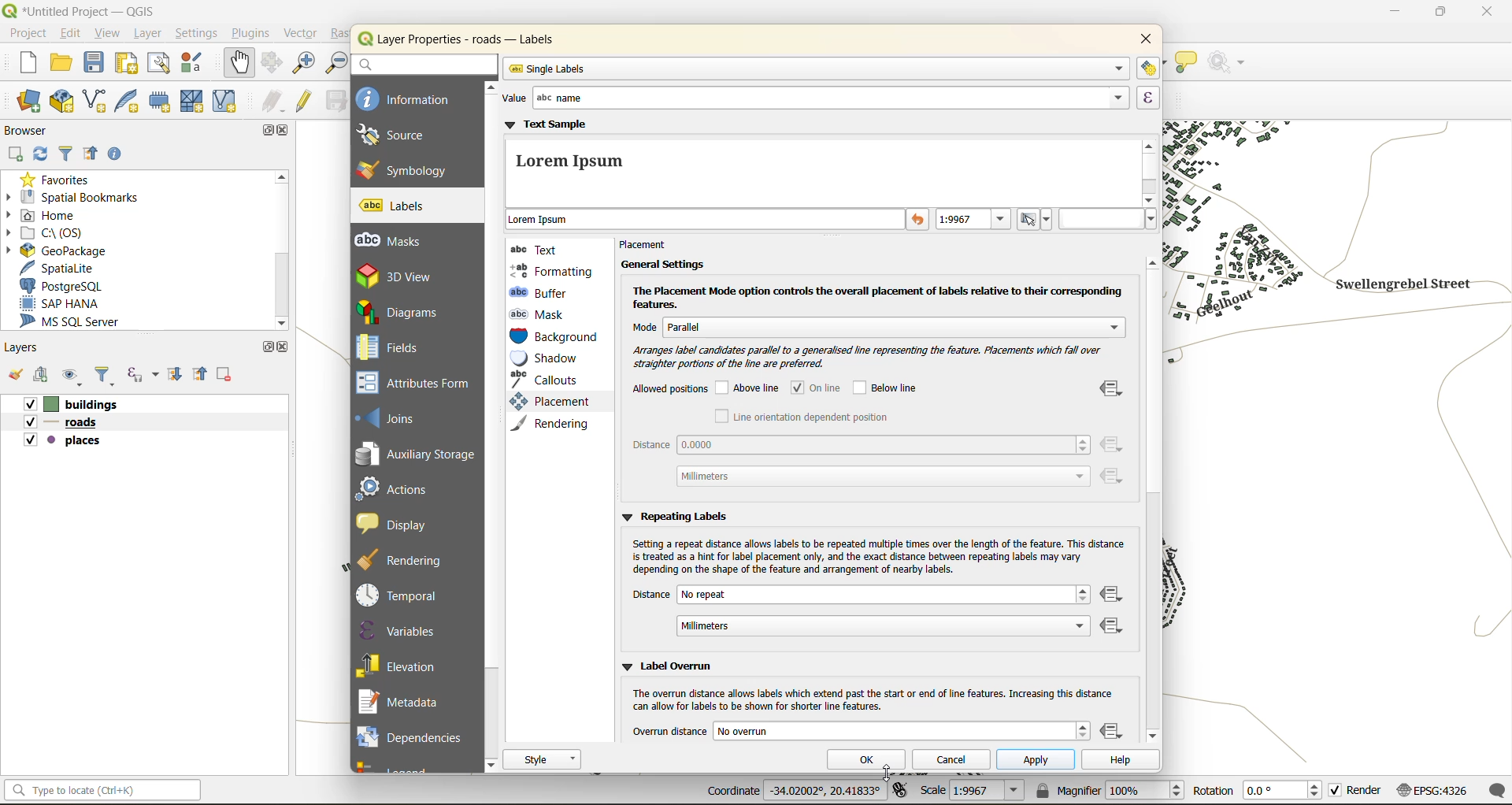 The width and height of the screenshot is (1512, 805). Describe the element at coordinates (202, 377) in the screenshot. I see `collapse all` at that location.